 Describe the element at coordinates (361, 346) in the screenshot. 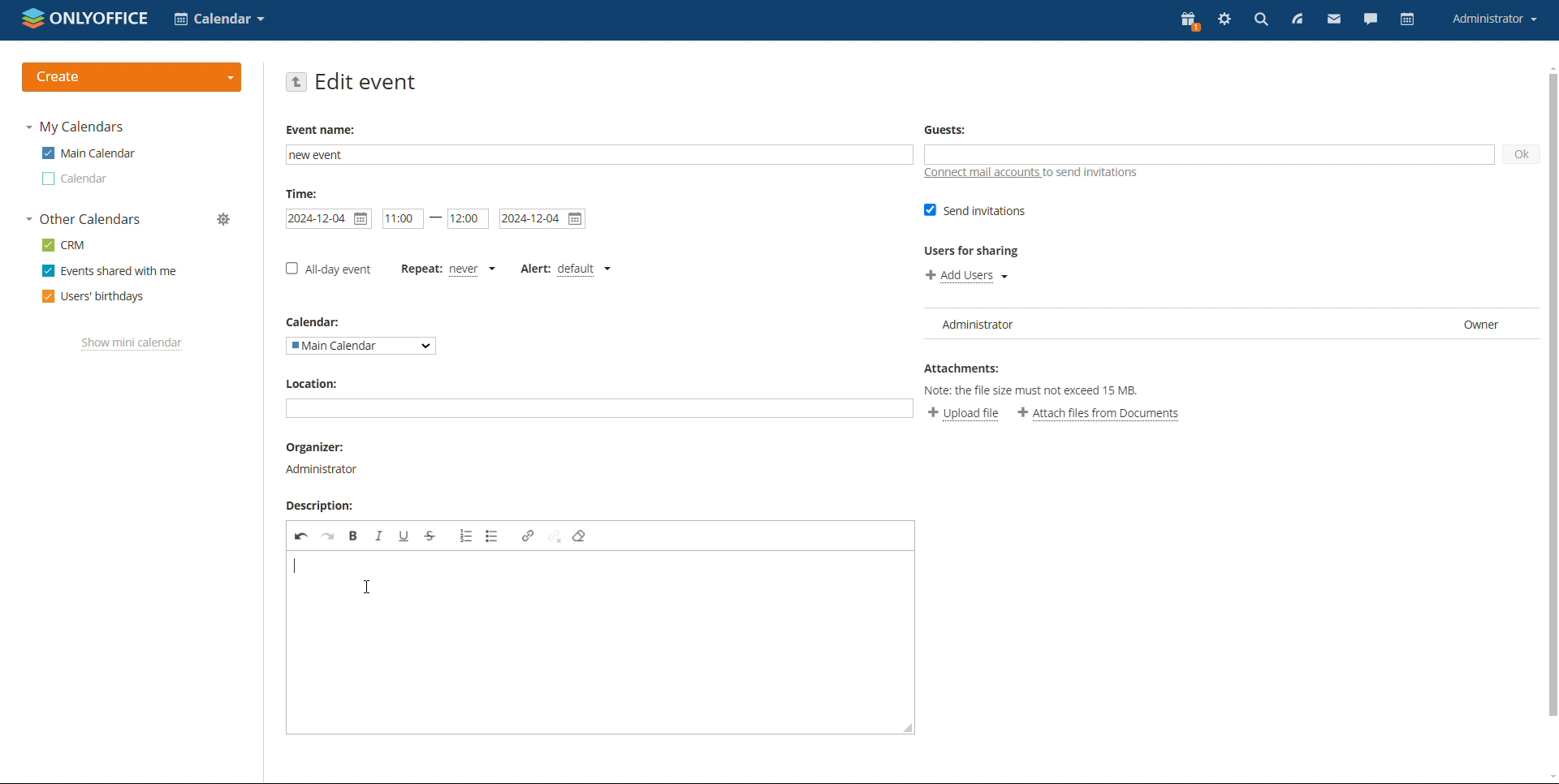

I see `select calendar` at that location.